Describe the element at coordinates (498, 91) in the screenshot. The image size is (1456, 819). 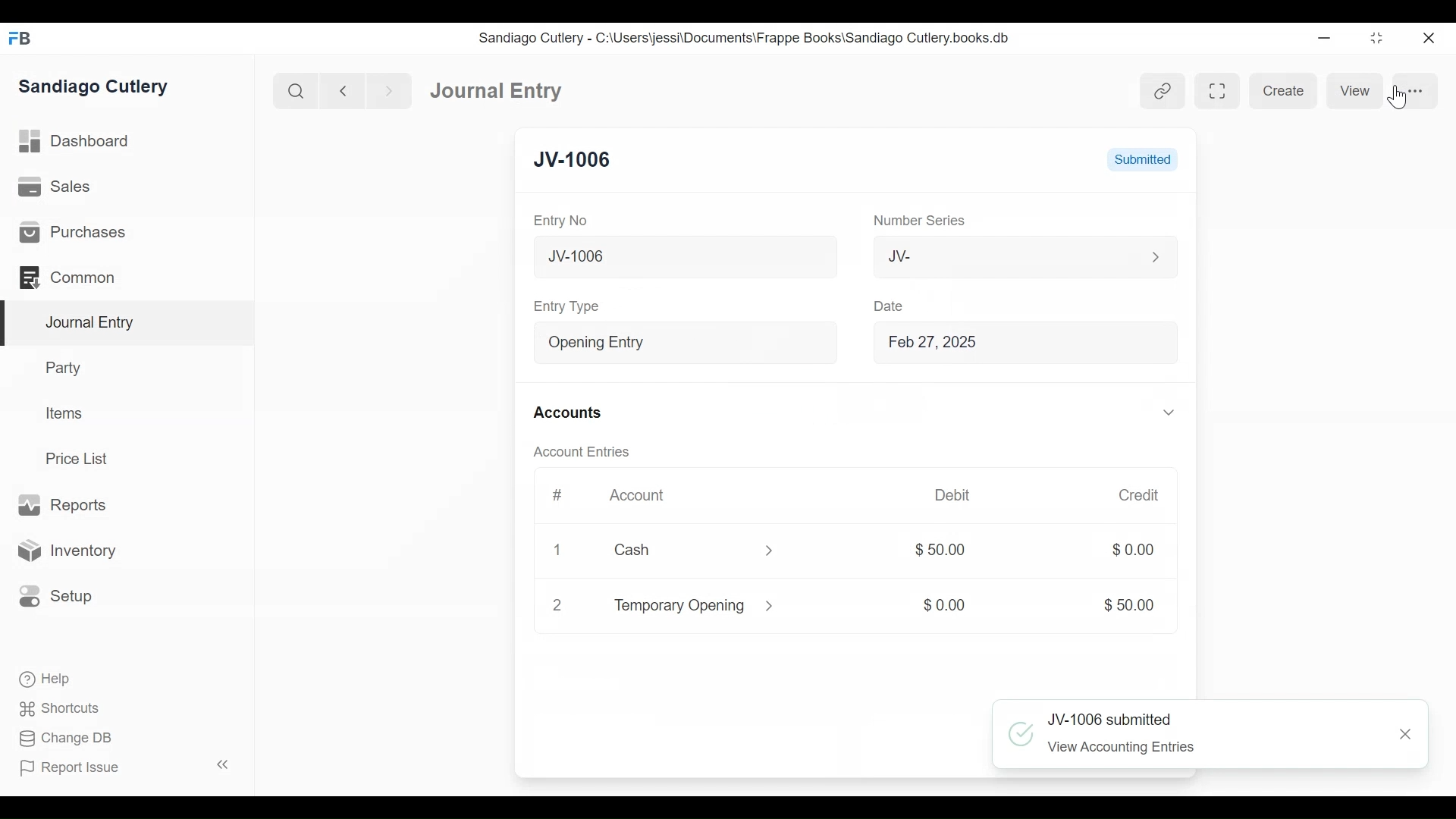
I see `Journal Entry` at that location.